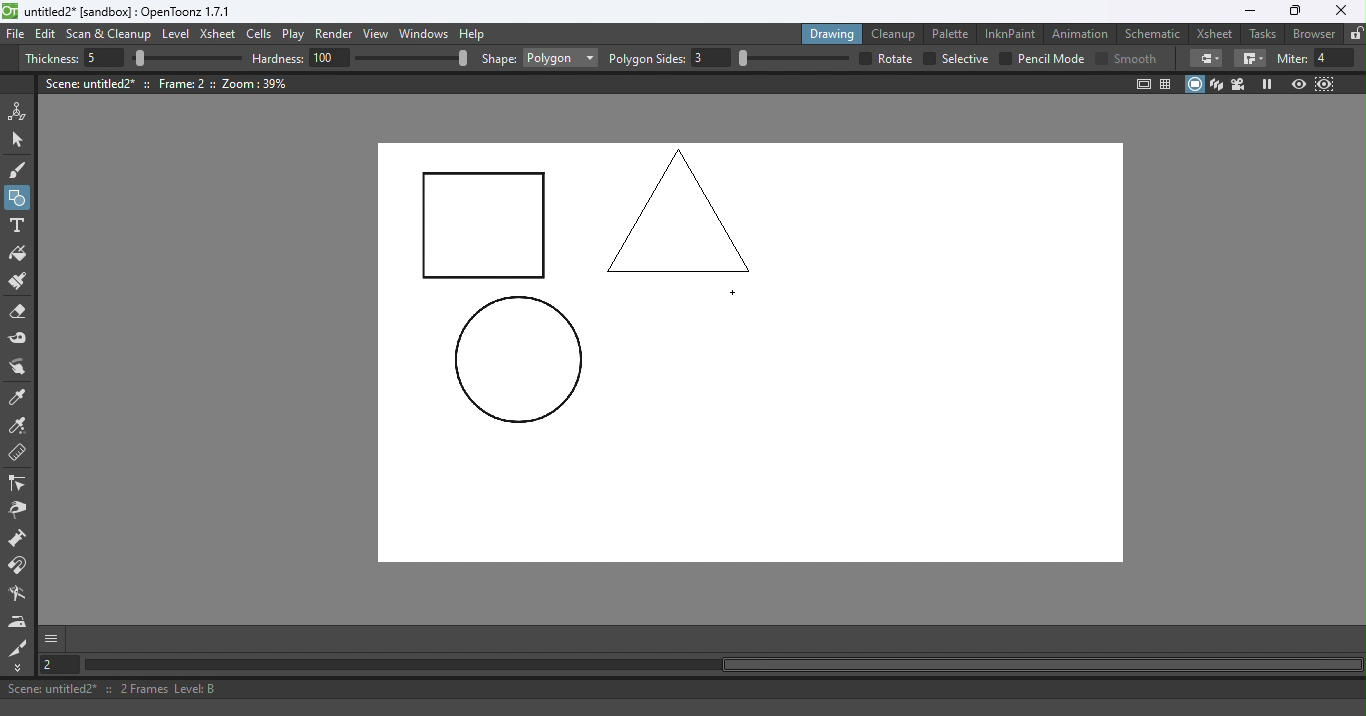 This screenshot has width=1366, height=716. Describe the element at coordinates (953, 33) in the screenshot. I see `Palette` at that location.